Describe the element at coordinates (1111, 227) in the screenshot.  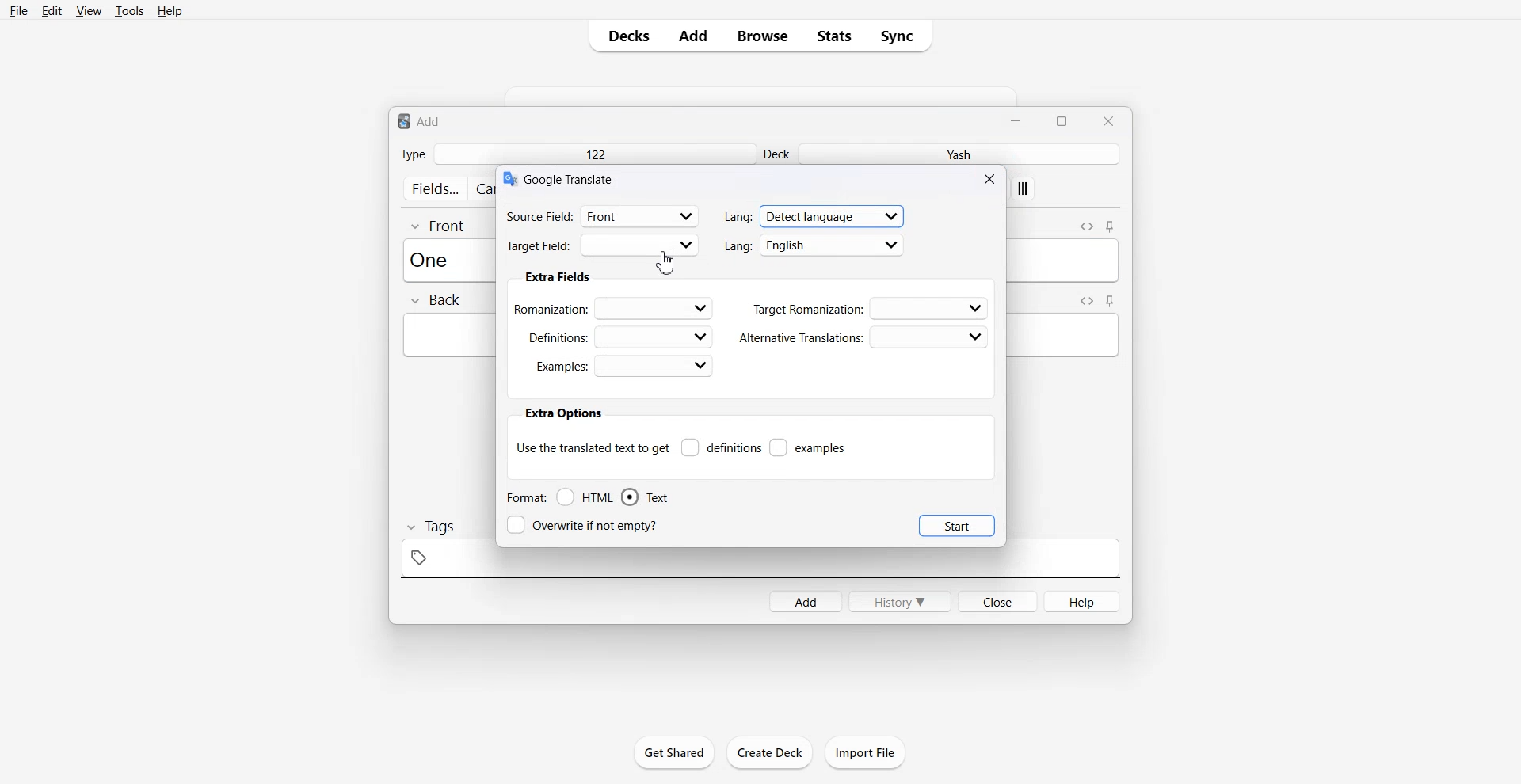
I see `Toggle sticky` at that location.